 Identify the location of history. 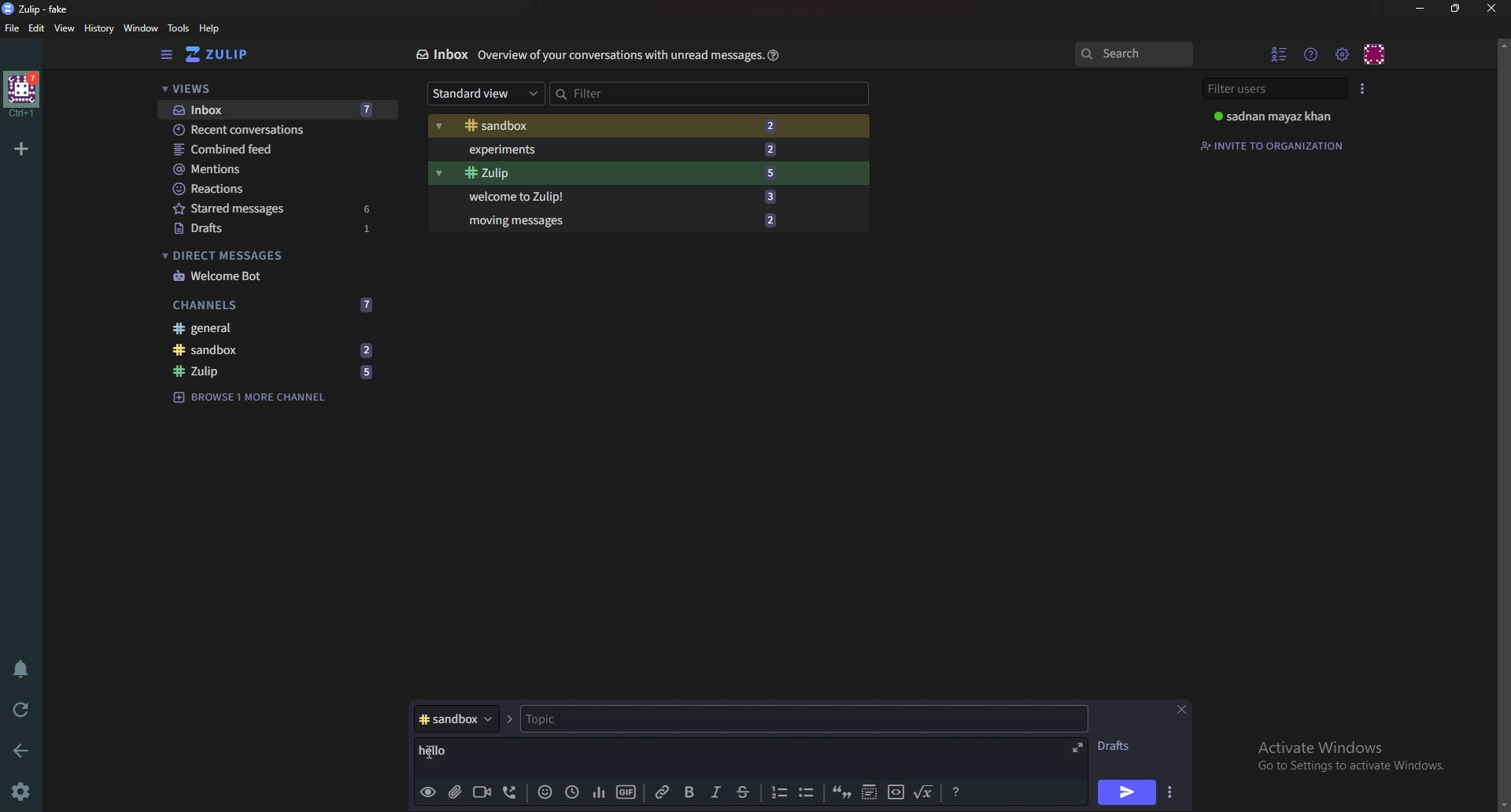
(100, 28).